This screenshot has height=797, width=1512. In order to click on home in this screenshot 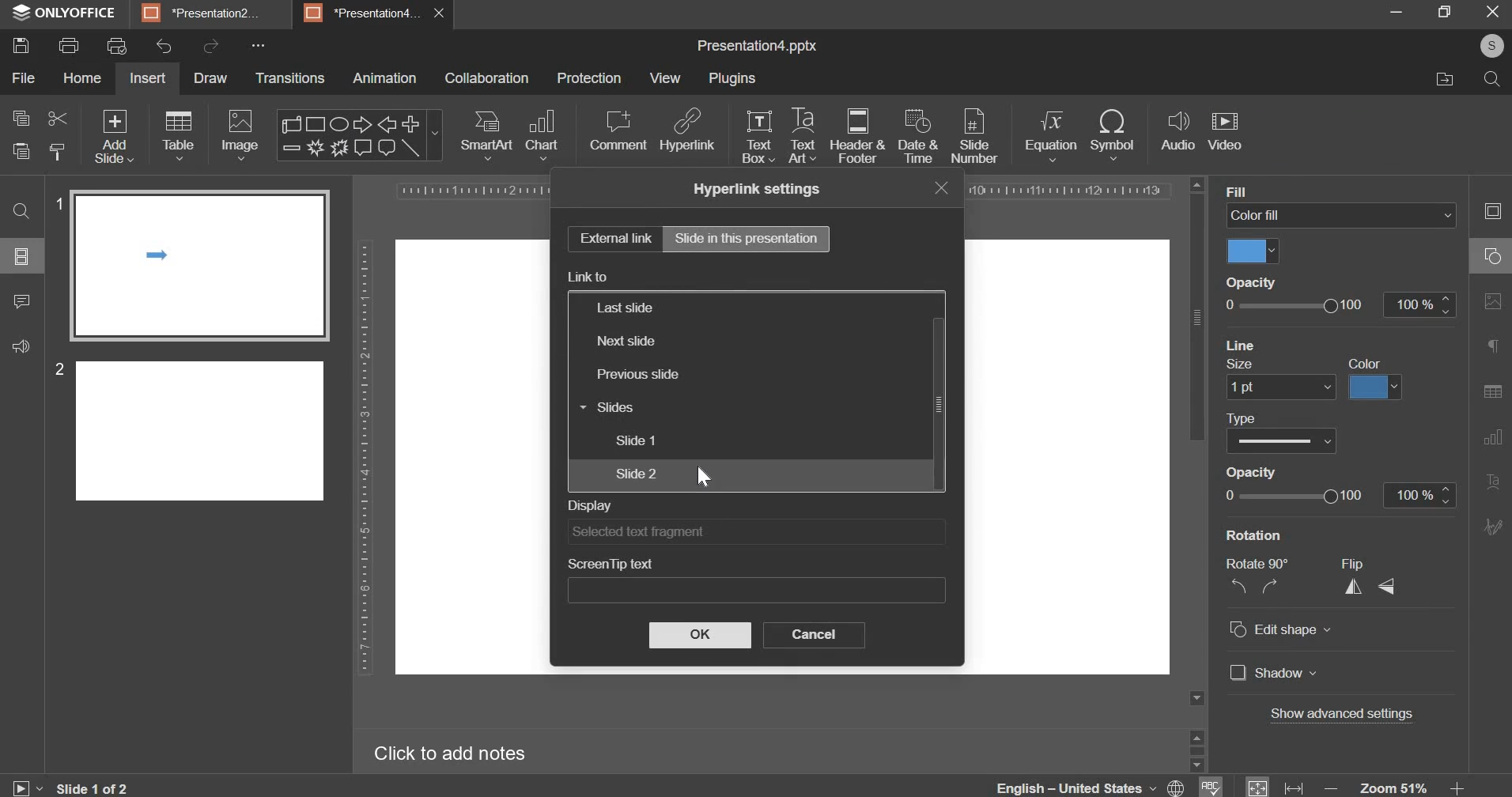, I will do `click(82, 78)`.